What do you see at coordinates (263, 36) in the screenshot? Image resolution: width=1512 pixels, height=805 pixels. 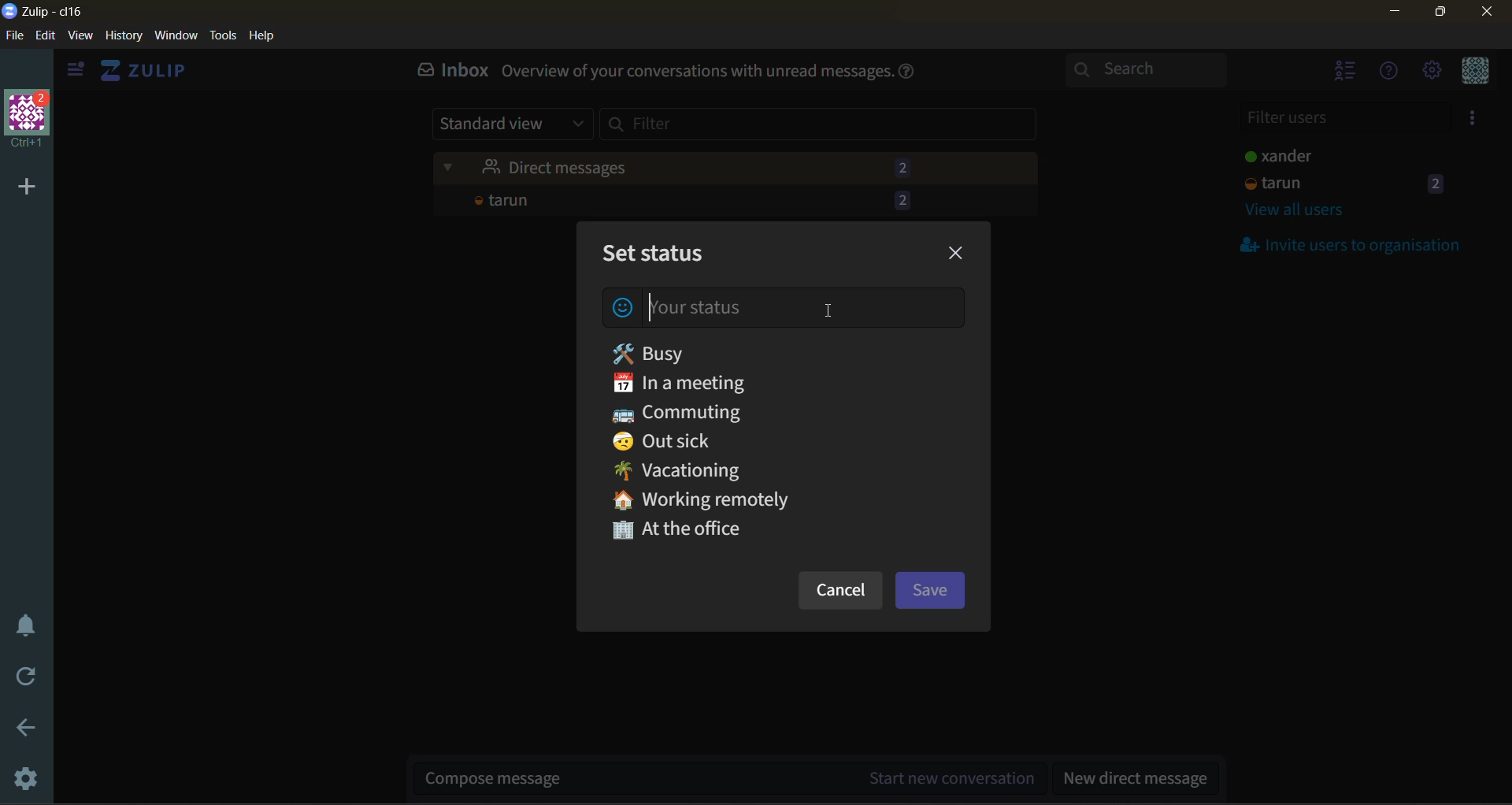 I see `help` at bounding box center [263, 36].